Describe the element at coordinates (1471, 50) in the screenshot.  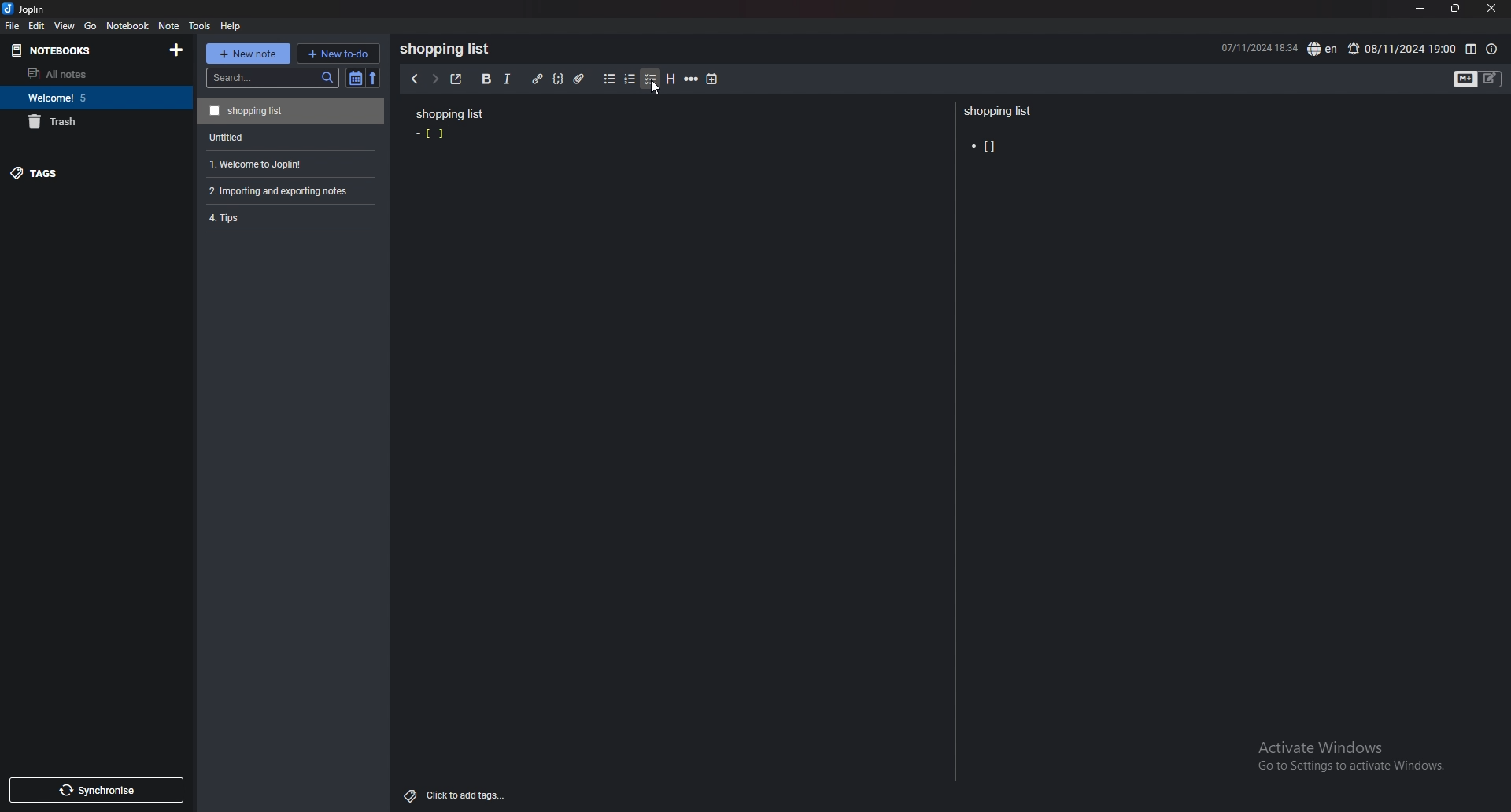
I see `toggle editor layout` at that location.